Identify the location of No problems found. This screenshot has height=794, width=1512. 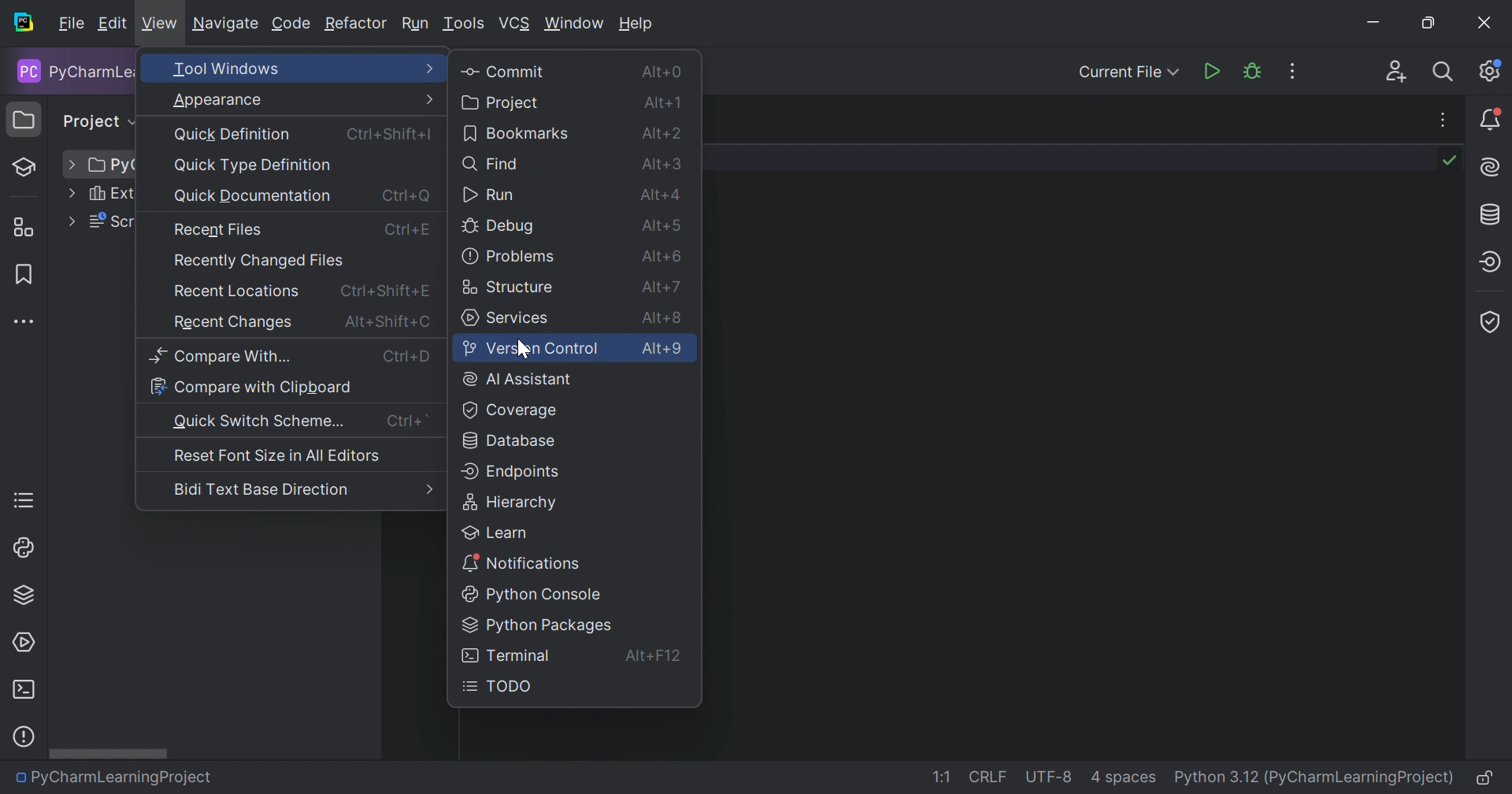
(1451, 161).